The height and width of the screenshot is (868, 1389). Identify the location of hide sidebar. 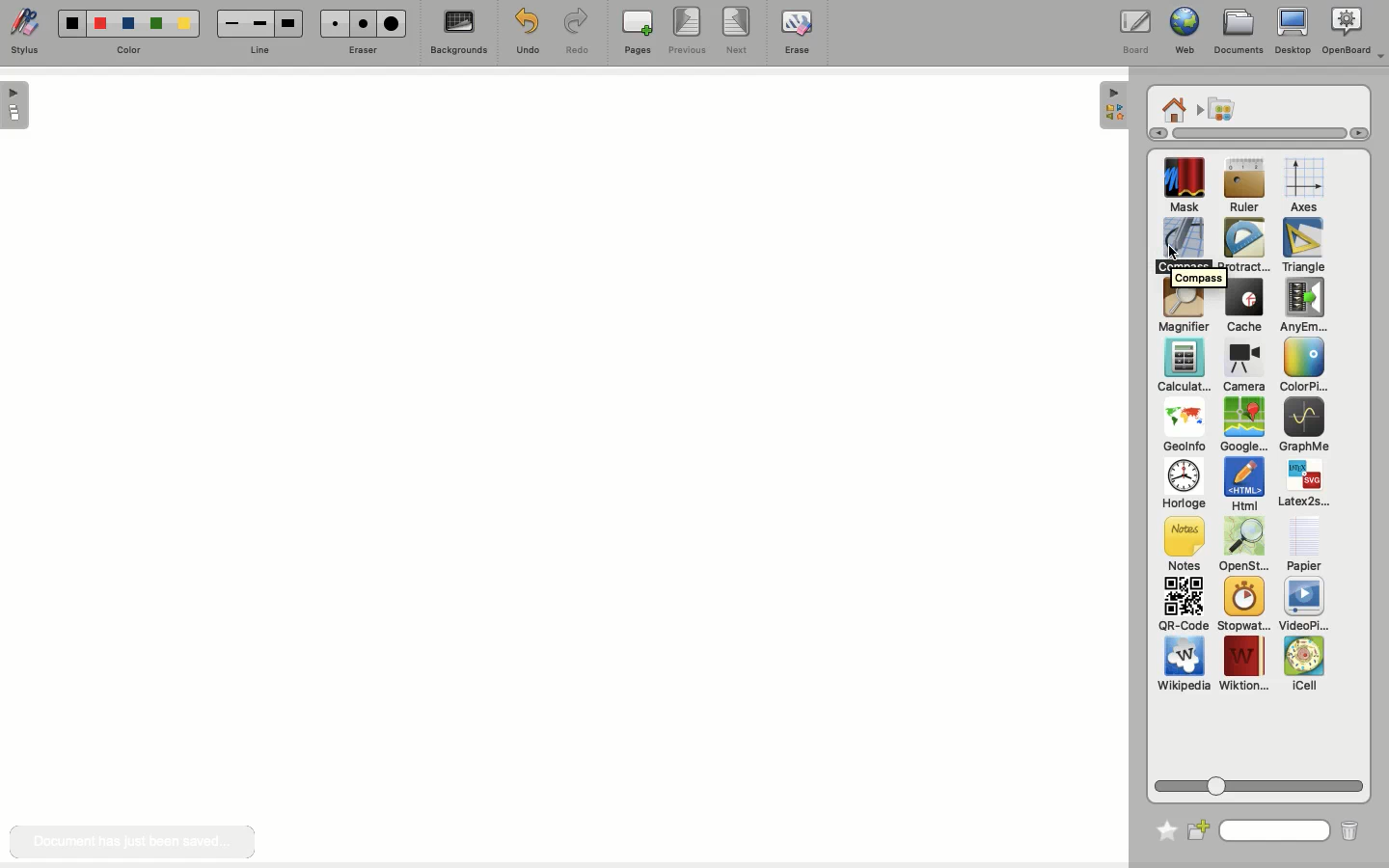
(1111, 105).